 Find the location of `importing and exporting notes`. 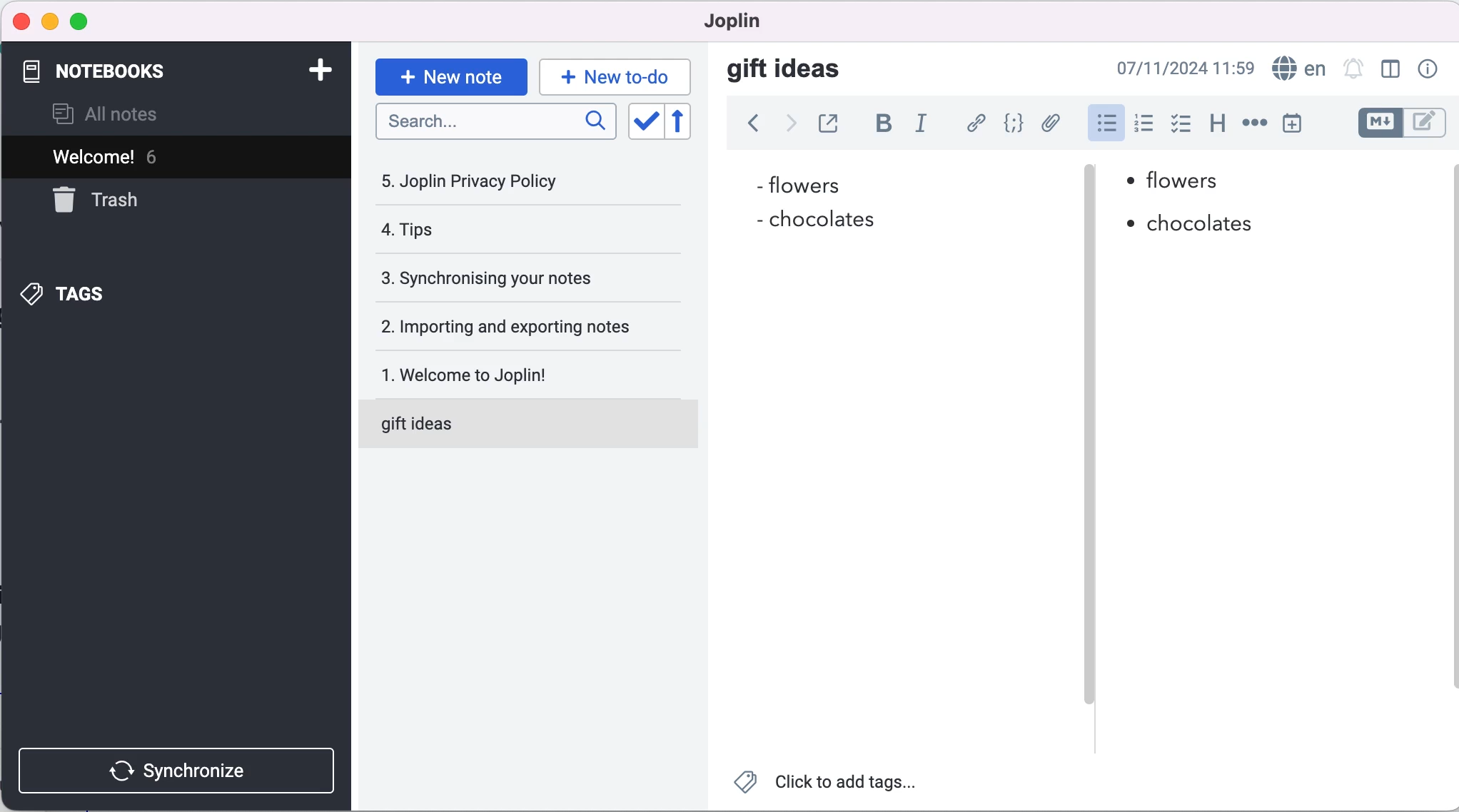

importing and exporting notes is located at coordinates (523, 325).